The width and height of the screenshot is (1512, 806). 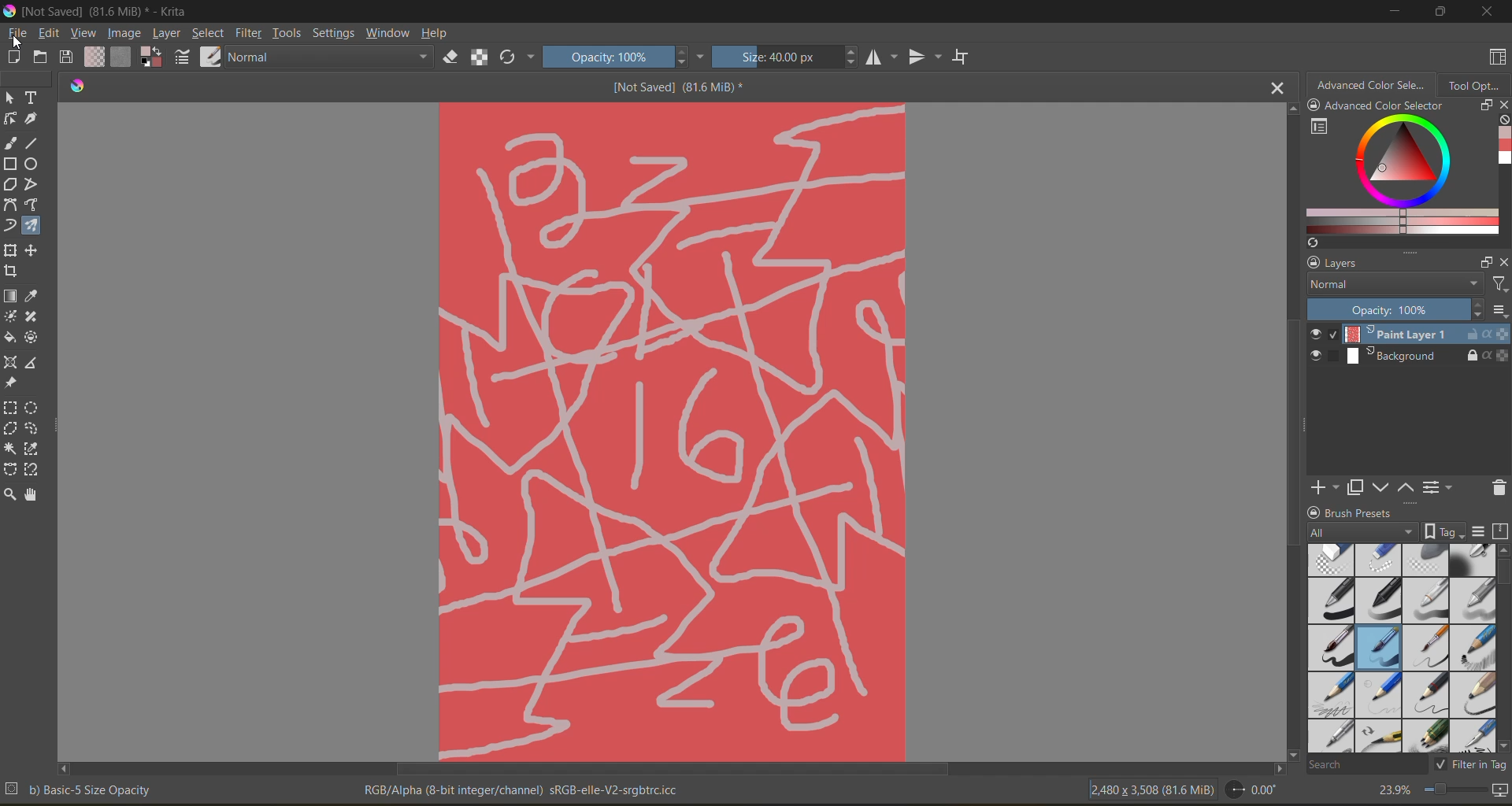 What do you see at coordinates (9, 338) in the screenshot?
I see `tool` at bounding box center [9, 338].